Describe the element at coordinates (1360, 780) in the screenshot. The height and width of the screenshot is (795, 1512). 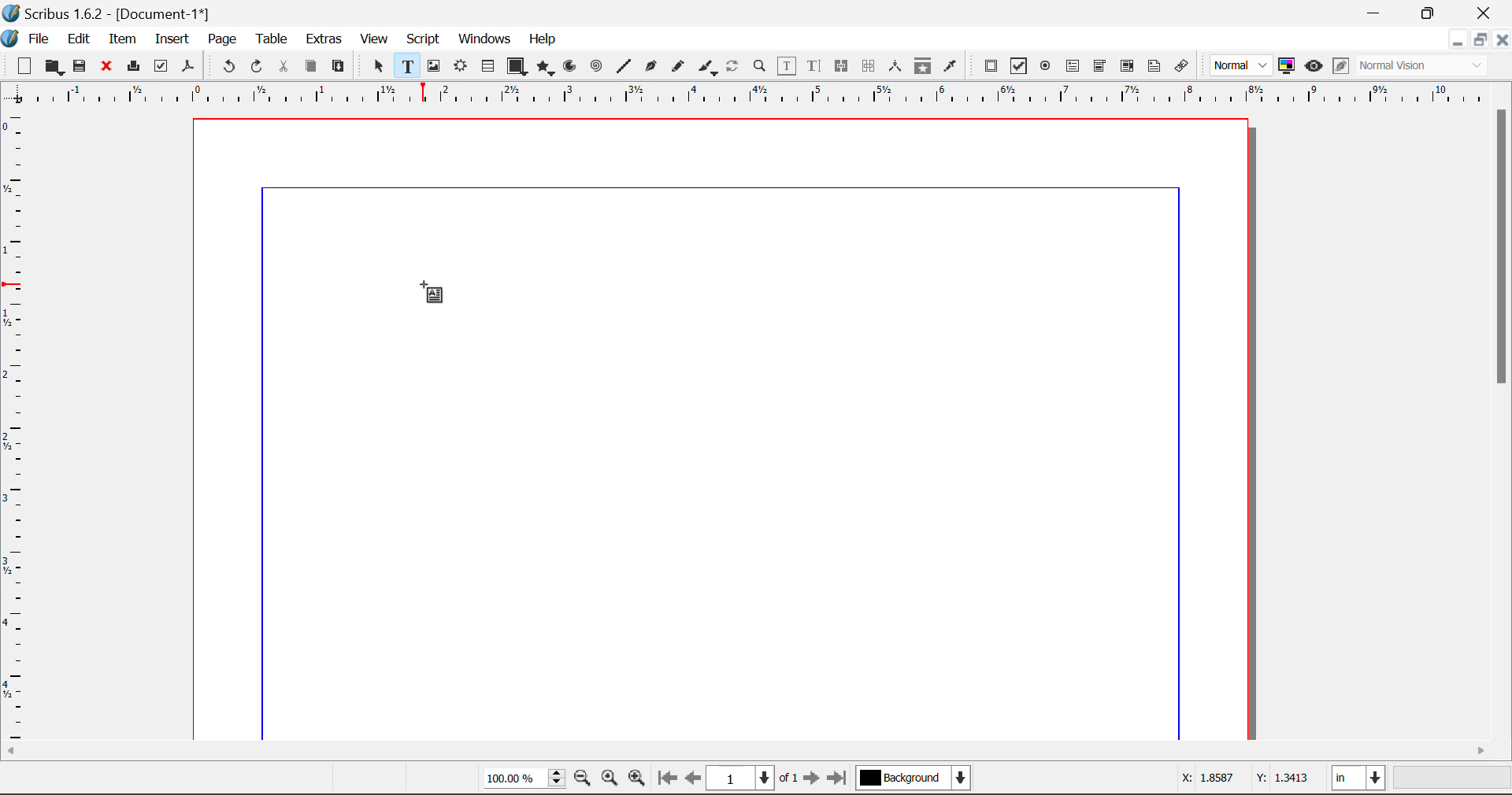
I see `Measurement Units` at that location.